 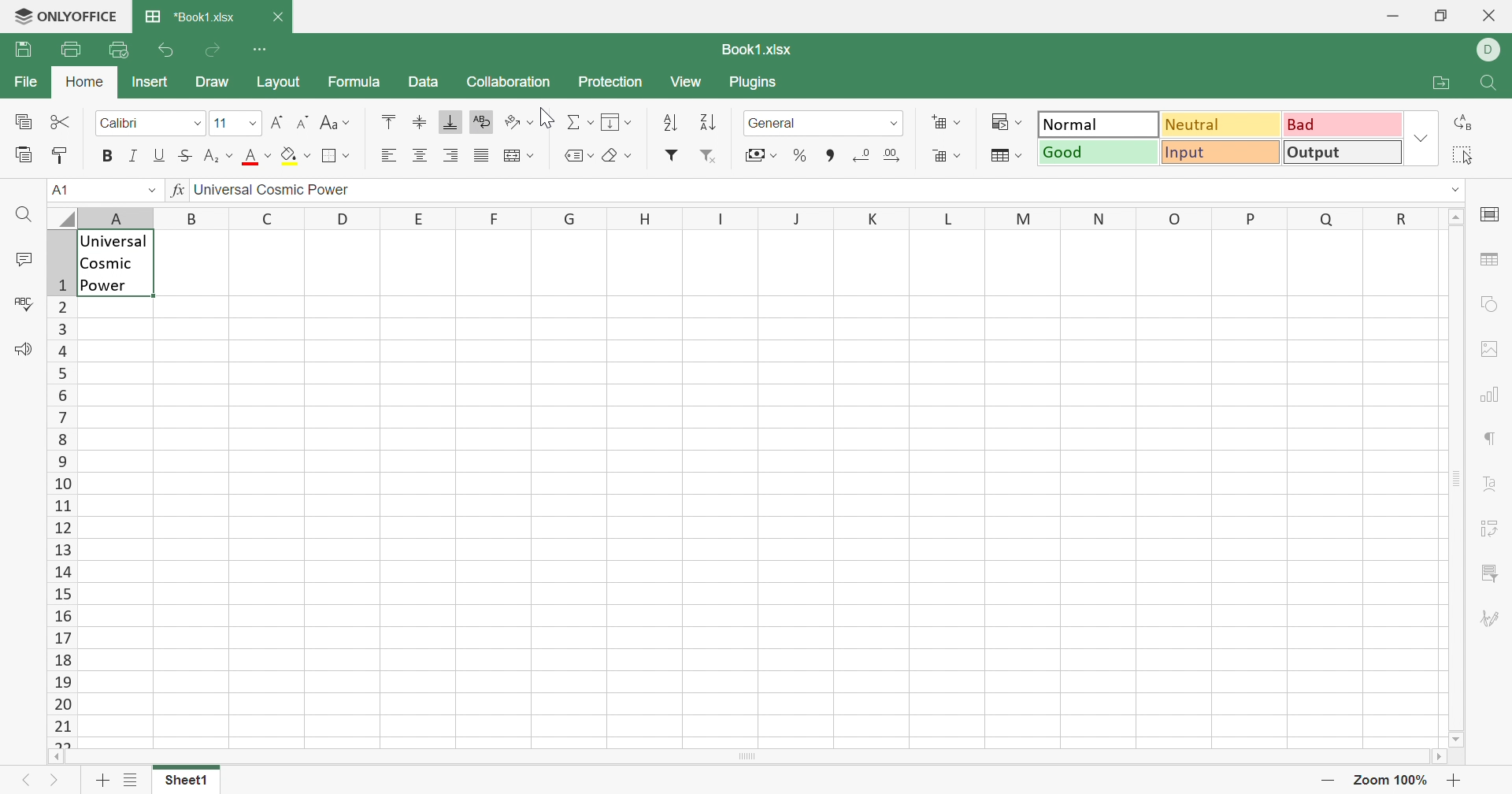 What do you see at coordinates (1445, 85) in the screenshot?
I see `Open file location` at bounding box center [1445, 85].